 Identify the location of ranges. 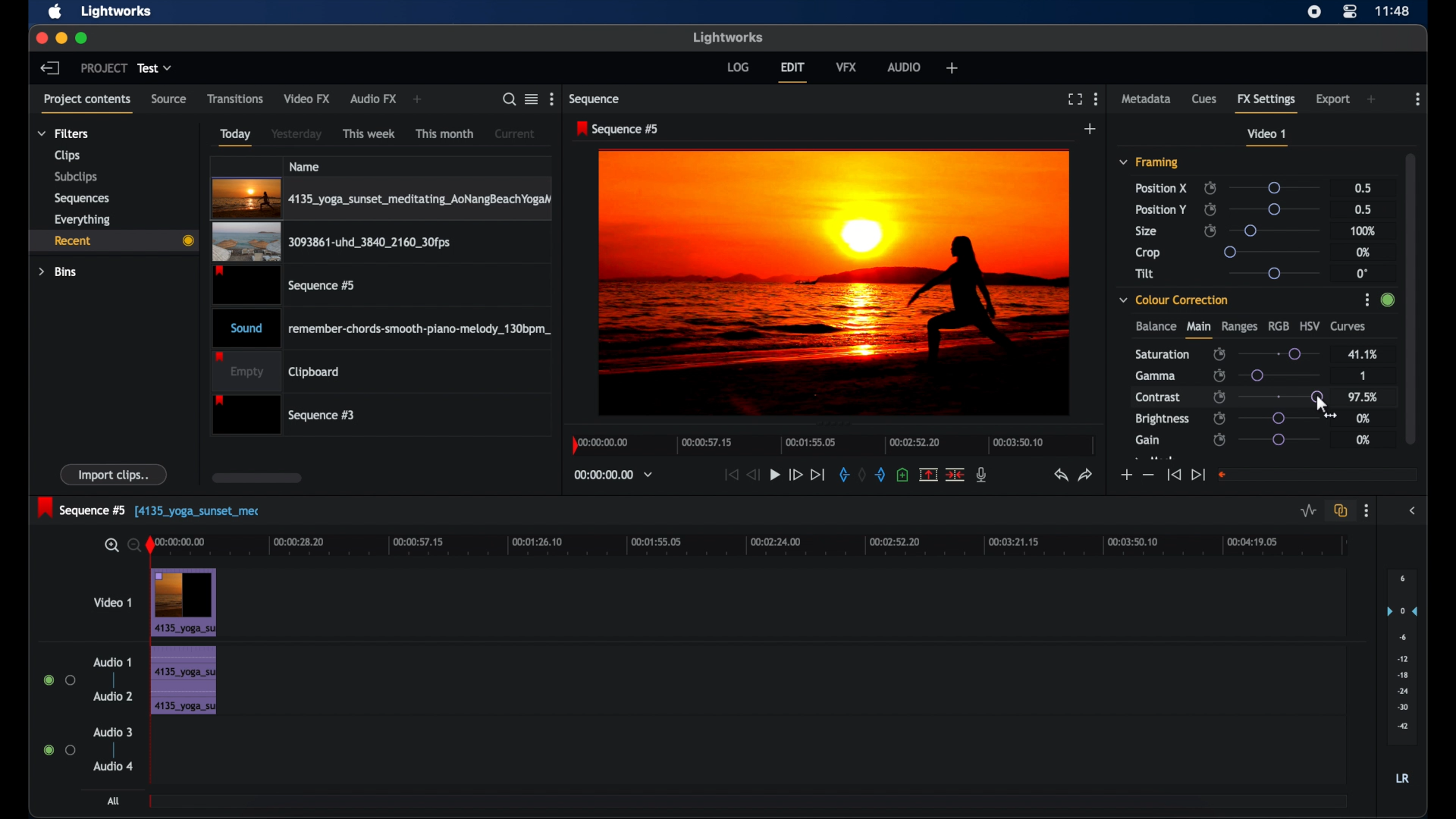
(1239, 327).